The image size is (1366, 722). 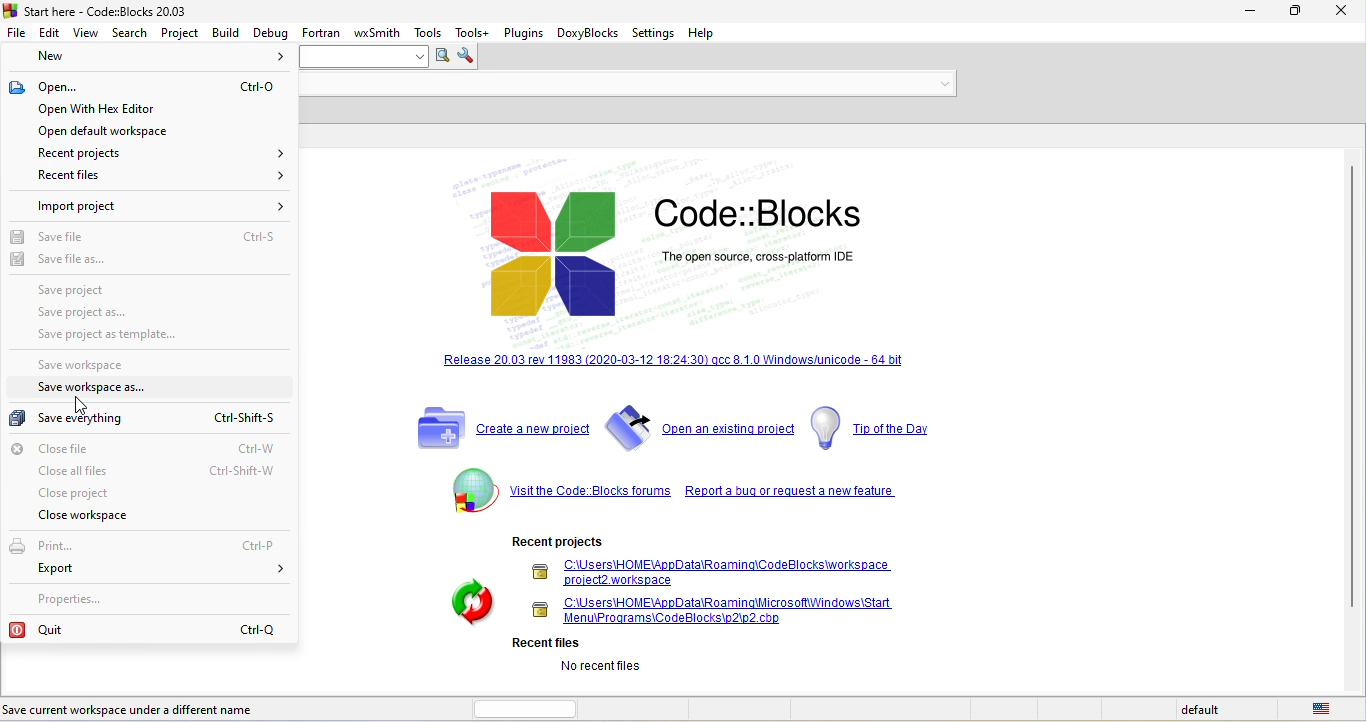 I want to click on close file, so click(x=155, y=448).